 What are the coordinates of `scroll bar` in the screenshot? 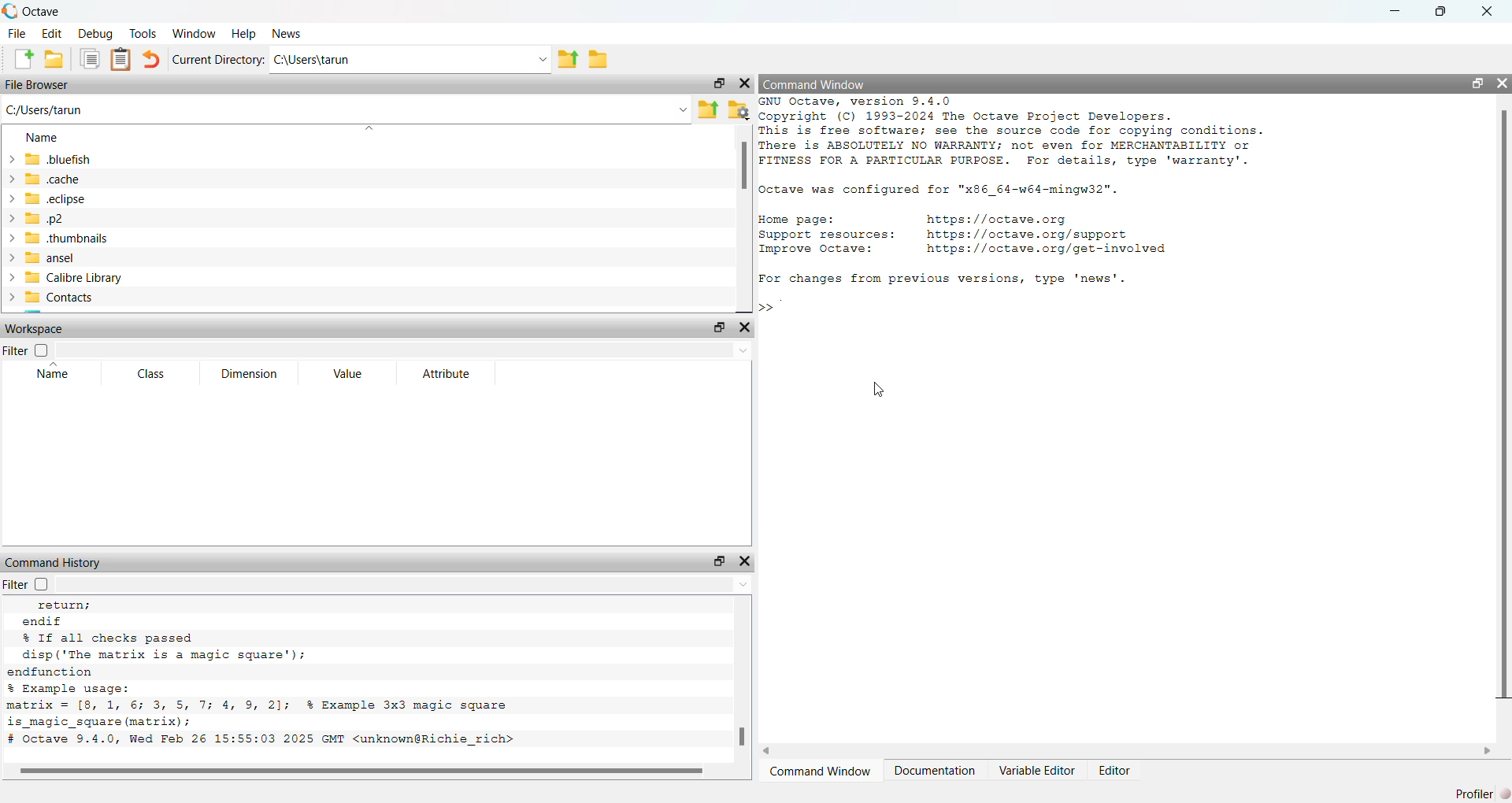 It's located at (1507, 405).